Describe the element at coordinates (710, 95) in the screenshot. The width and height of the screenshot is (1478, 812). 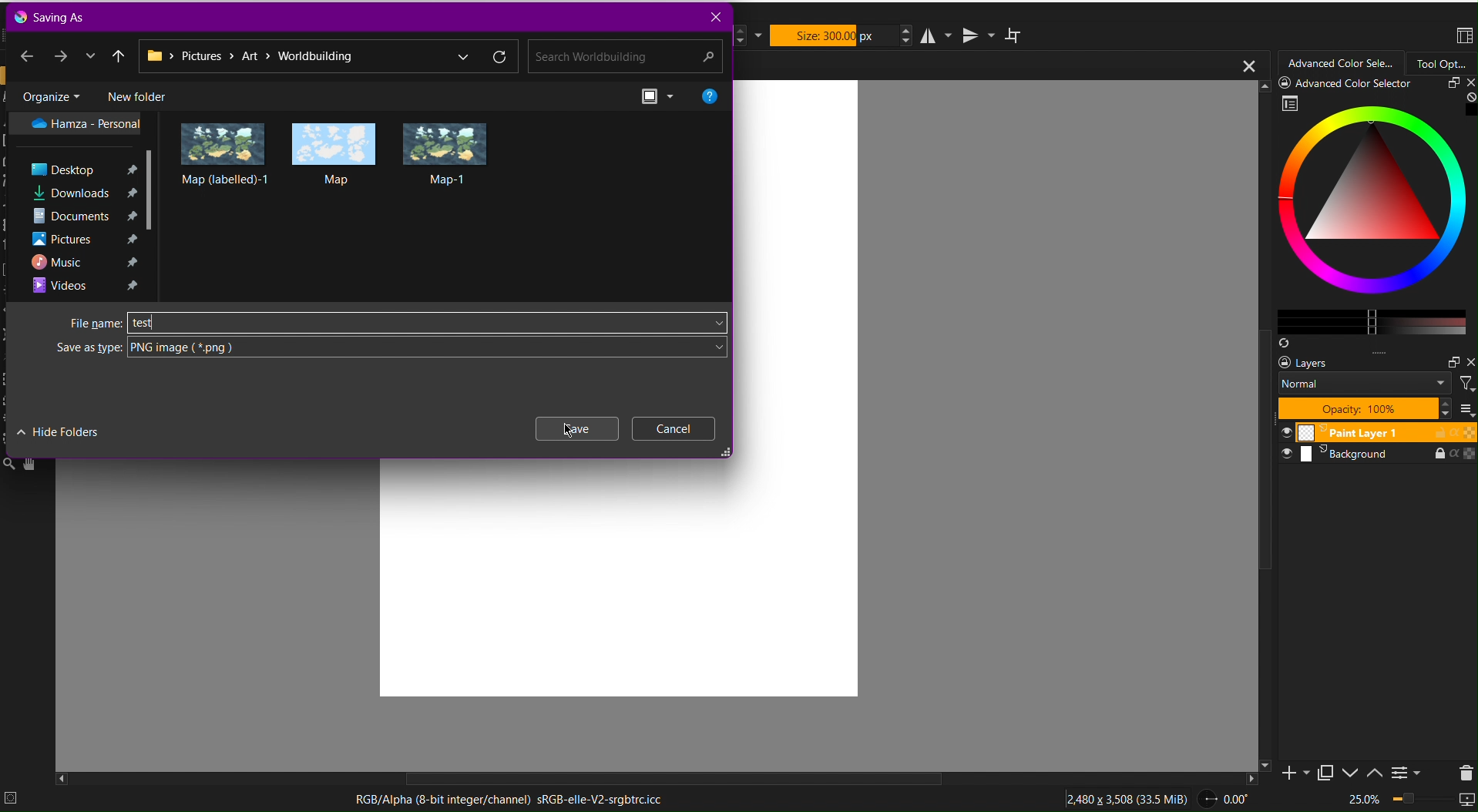
I see `Help` at that location.